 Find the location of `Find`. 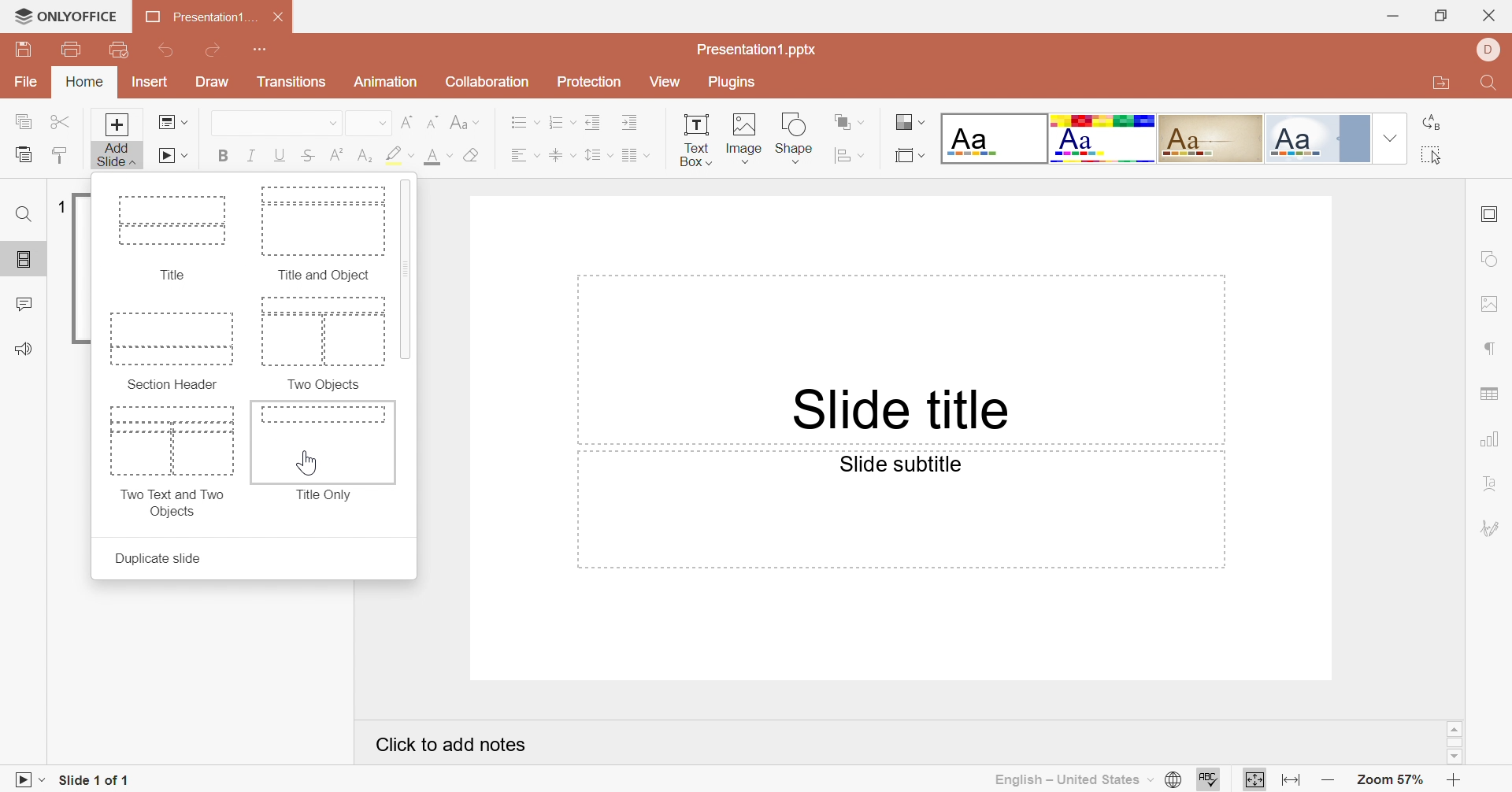

Find is located at coordinates (22, 215).